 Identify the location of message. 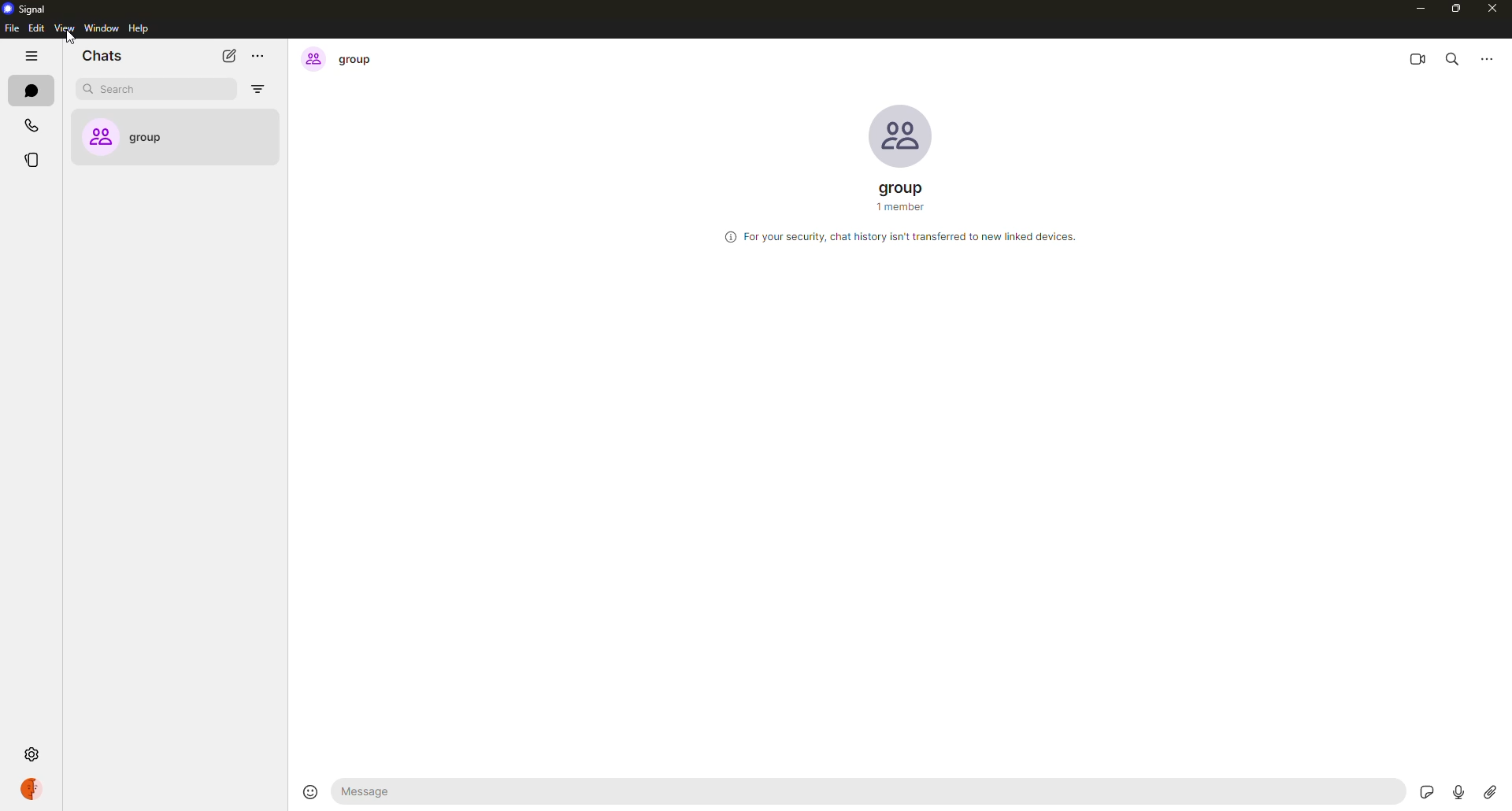
(432, 791).